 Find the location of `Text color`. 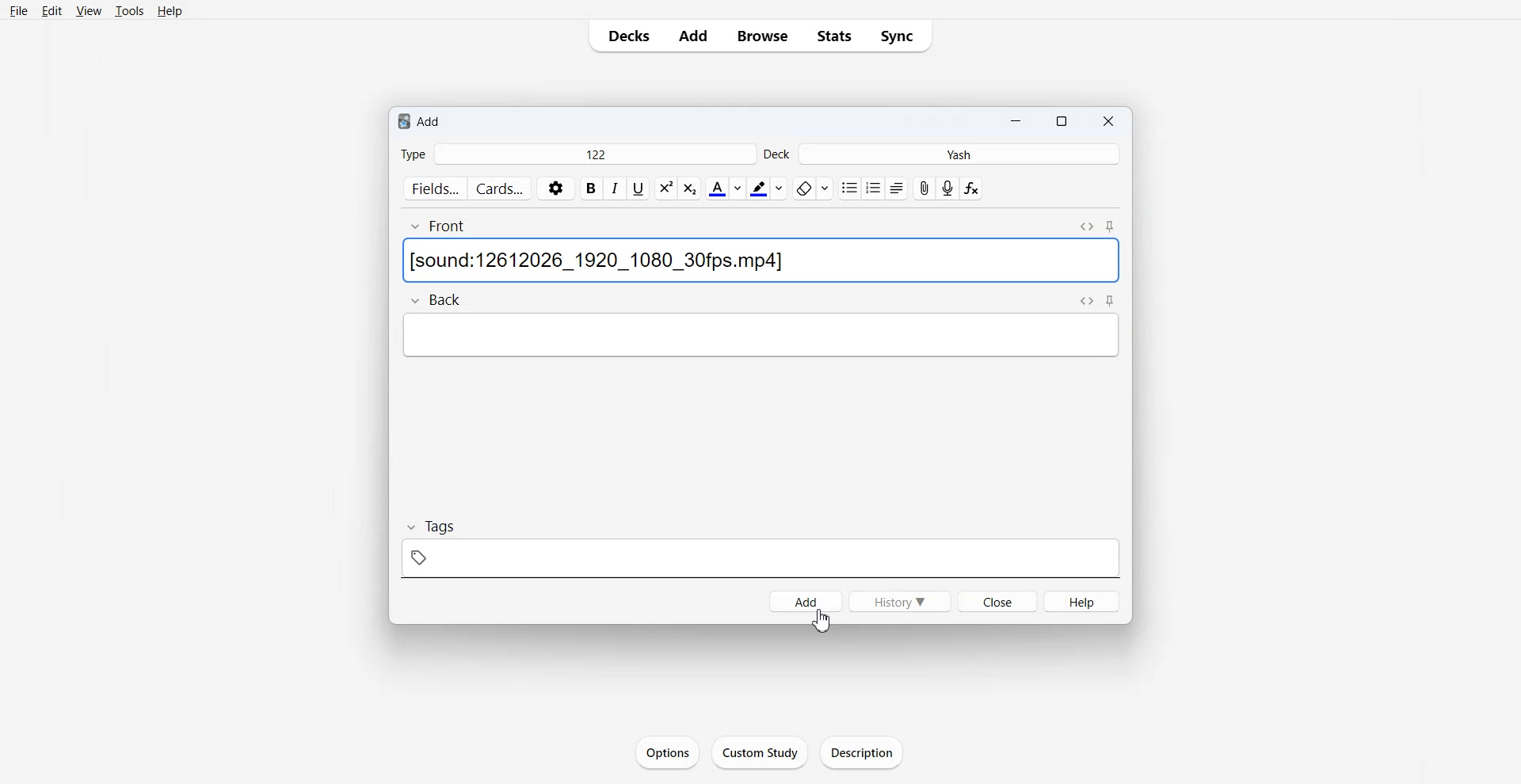

Text color is located at coordinates (725, 188).